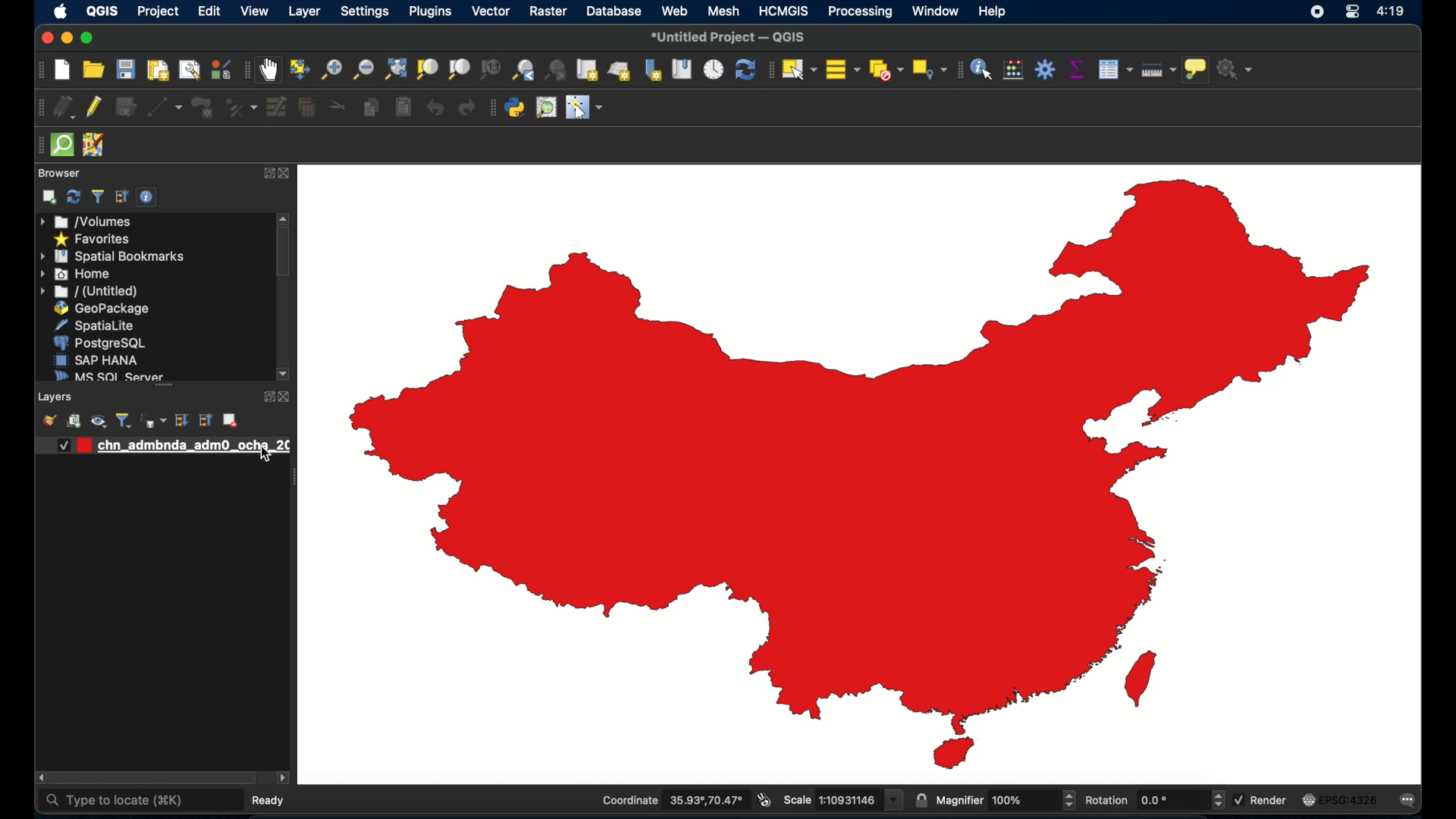 The image size is (1456, 819). Describe the element at coordinates (262, 456) in the screenshot. I see `cursor` at that location.